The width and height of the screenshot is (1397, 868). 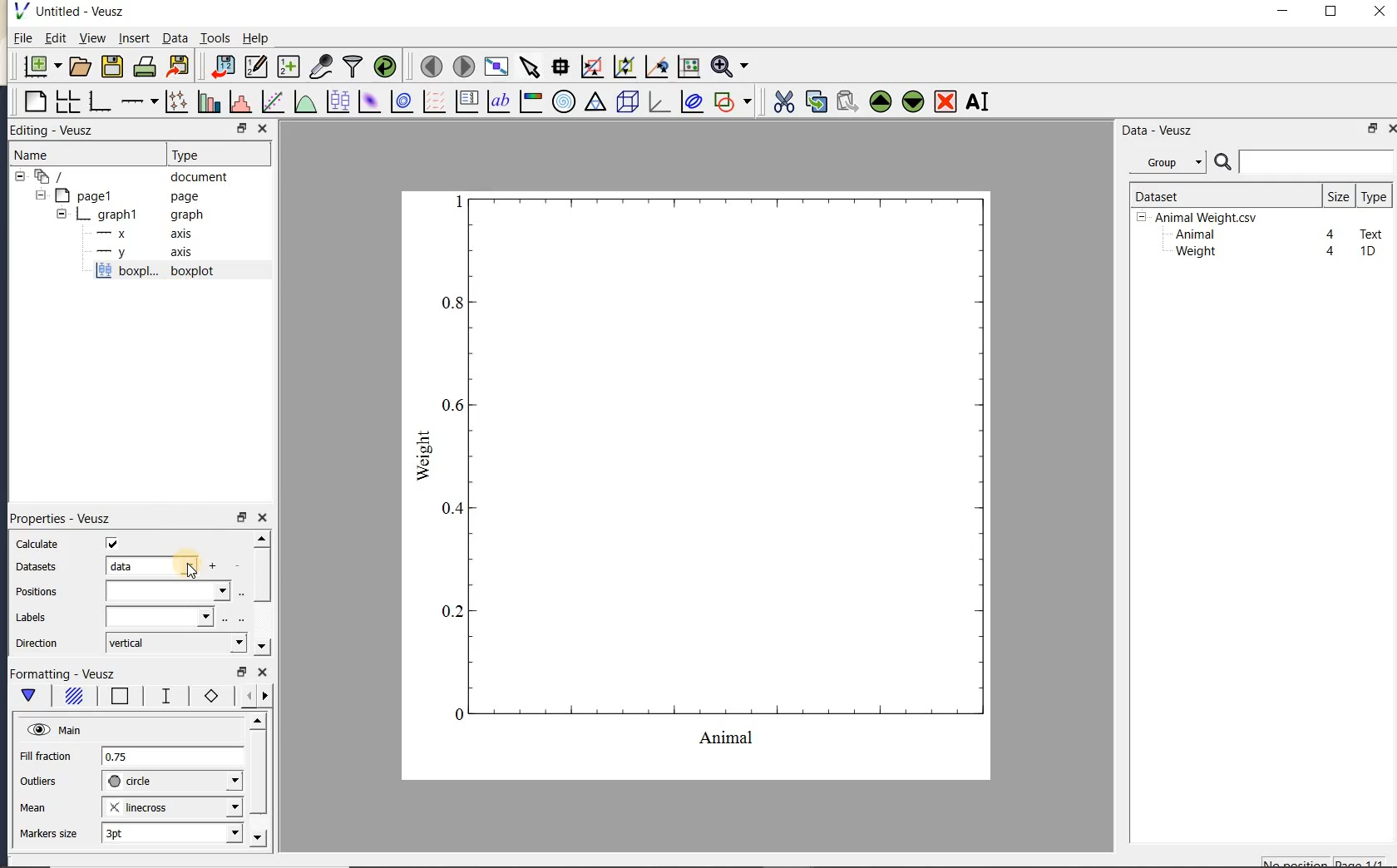 What do you see at coordinates (689, 67) in the screenshot?
I see `click to reset graph axes` at bounding box center [689, 67].